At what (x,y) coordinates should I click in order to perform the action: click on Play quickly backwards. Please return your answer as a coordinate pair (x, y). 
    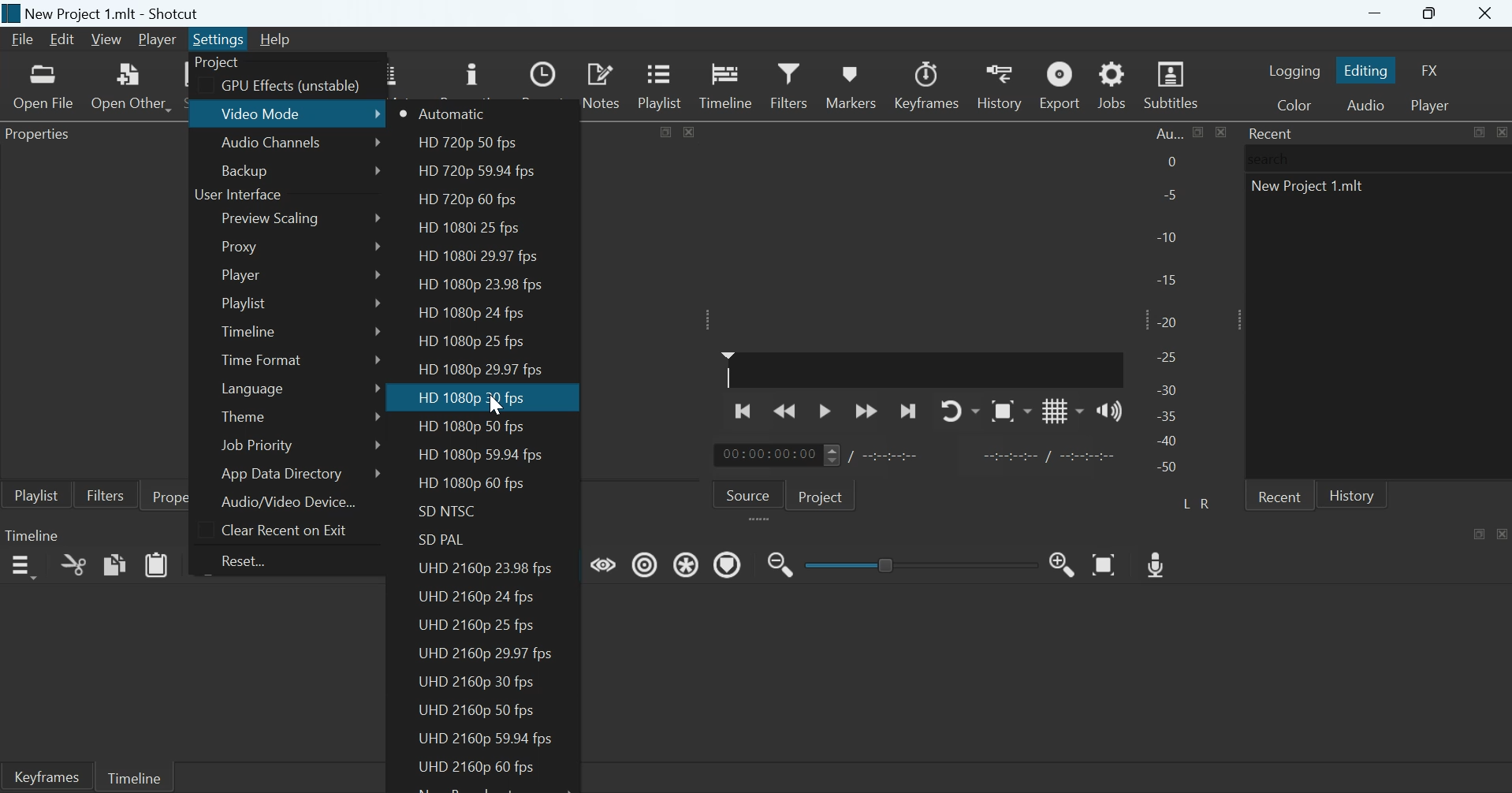
    Looking at the image, I should click on (786, 410).